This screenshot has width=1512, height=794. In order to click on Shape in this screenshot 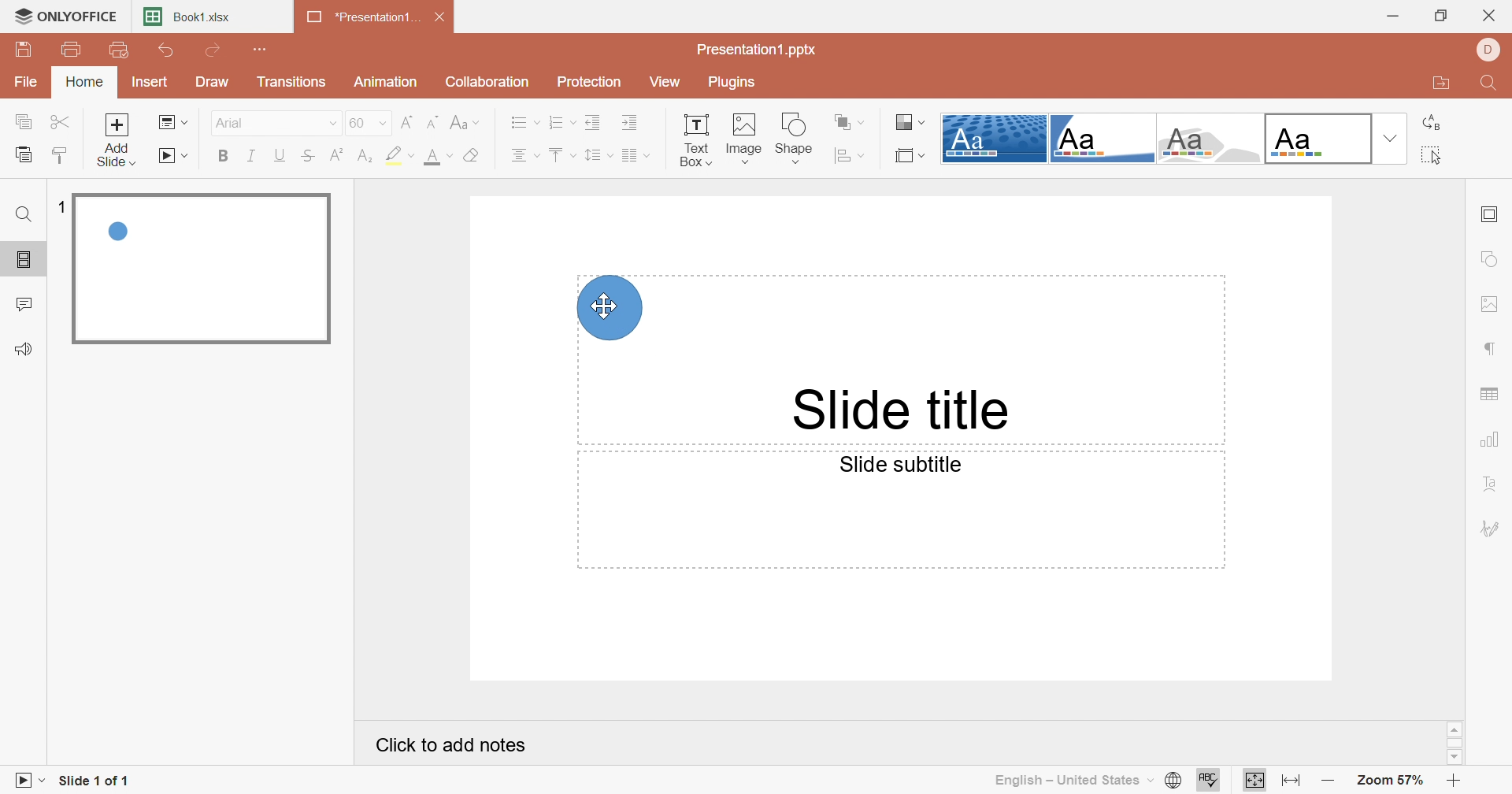, I will do `click(610, 307)`.